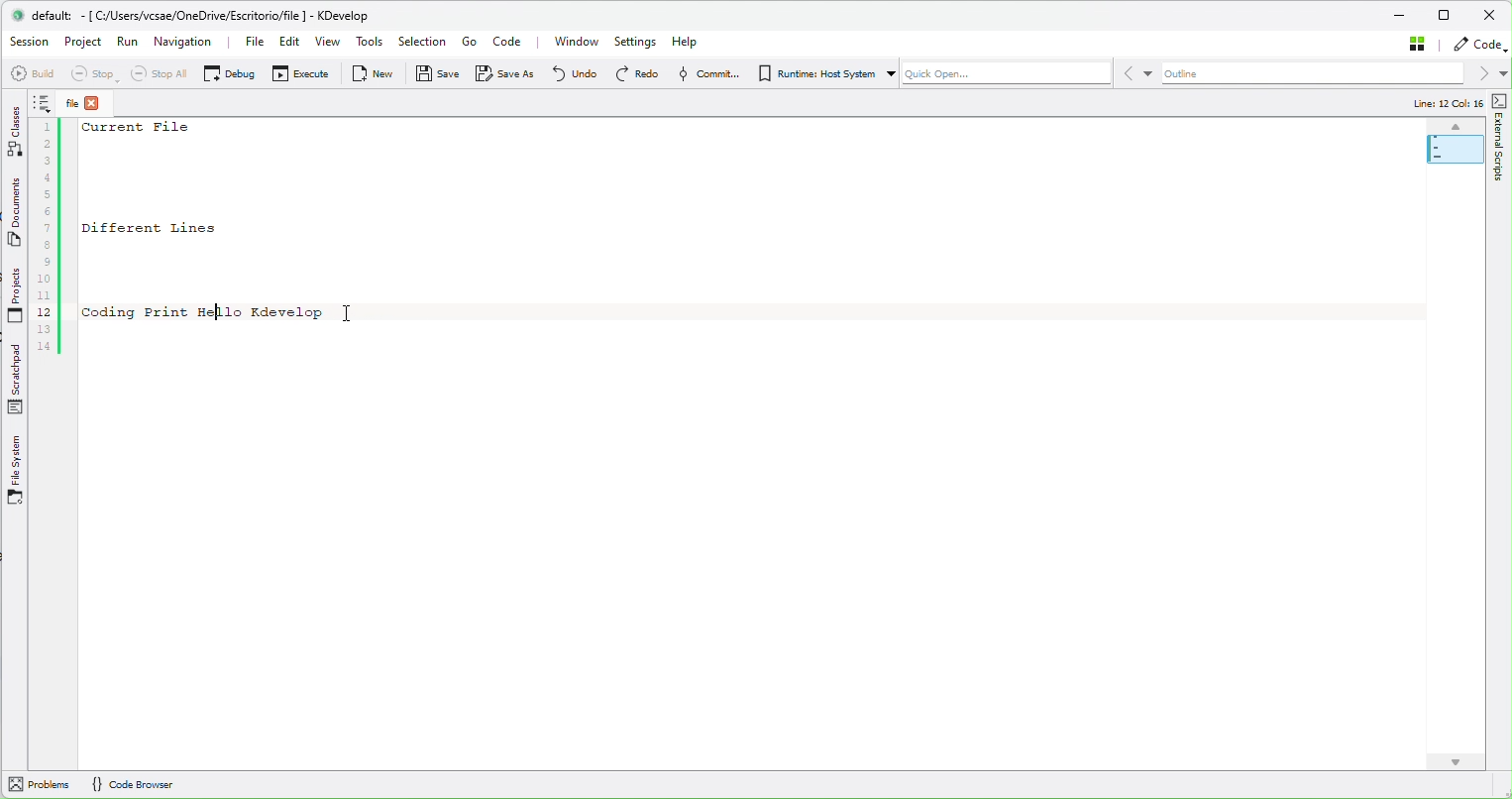 The height and width of the screenshot is (799, 1512). What do you see at coordinates (431, 72) in the screenshot?
I see `Save` at bounding box center [431, 72].